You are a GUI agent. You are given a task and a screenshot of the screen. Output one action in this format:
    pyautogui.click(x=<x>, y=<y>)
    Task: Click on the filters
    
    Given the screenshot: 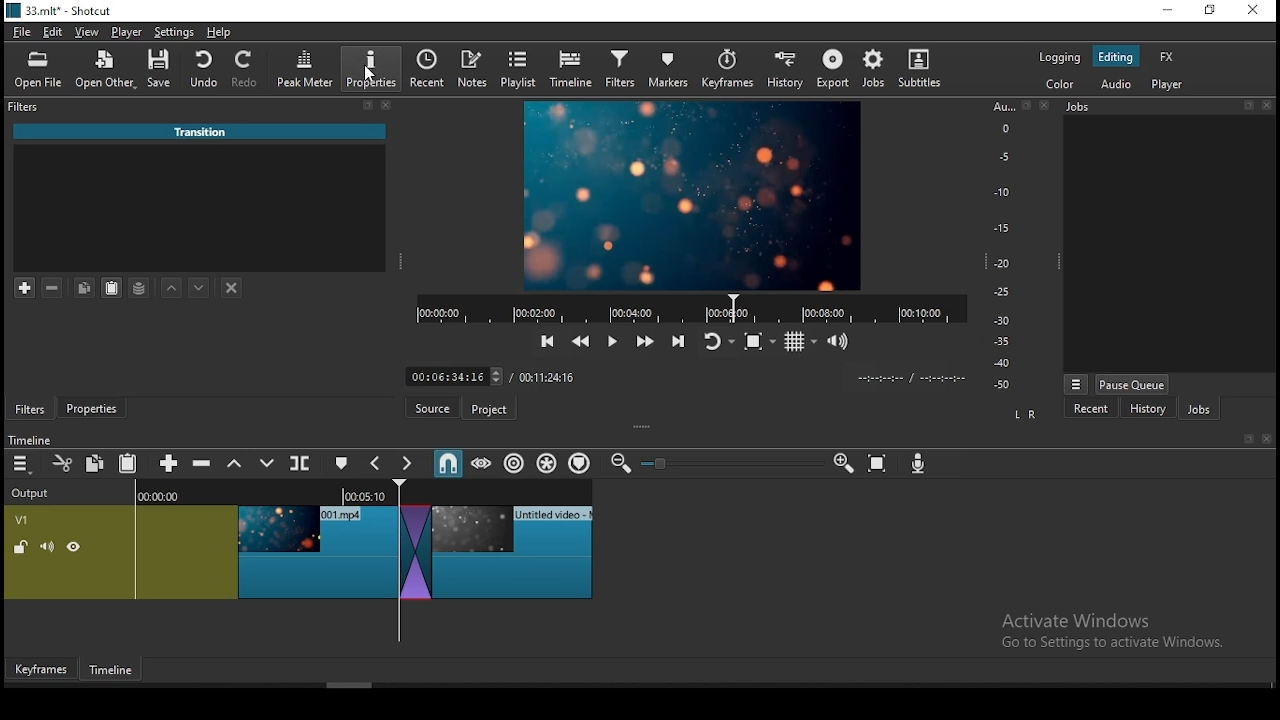 What is the action you would take?
    pyautogui.click(x=31, y=410)
    